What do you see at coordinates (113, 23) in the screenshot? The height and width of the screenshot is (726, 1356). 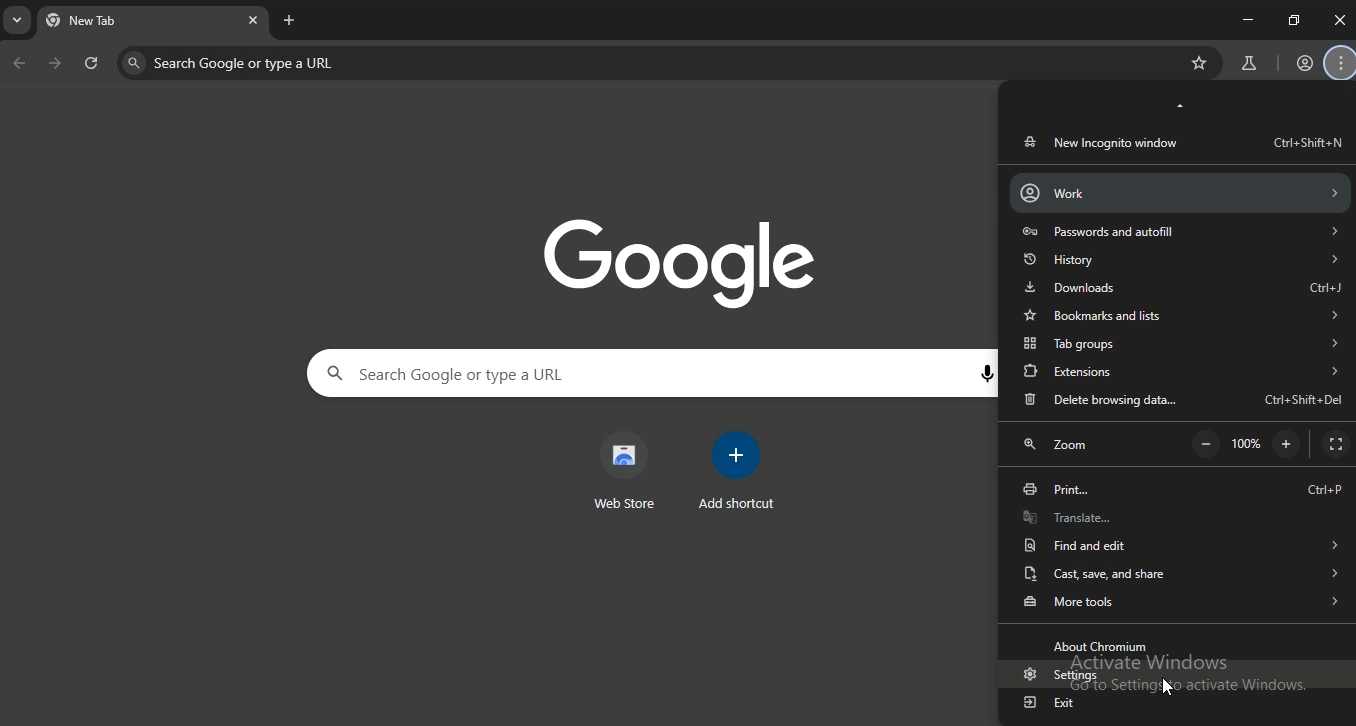 I see `tab` at bounding box center [113, 23].